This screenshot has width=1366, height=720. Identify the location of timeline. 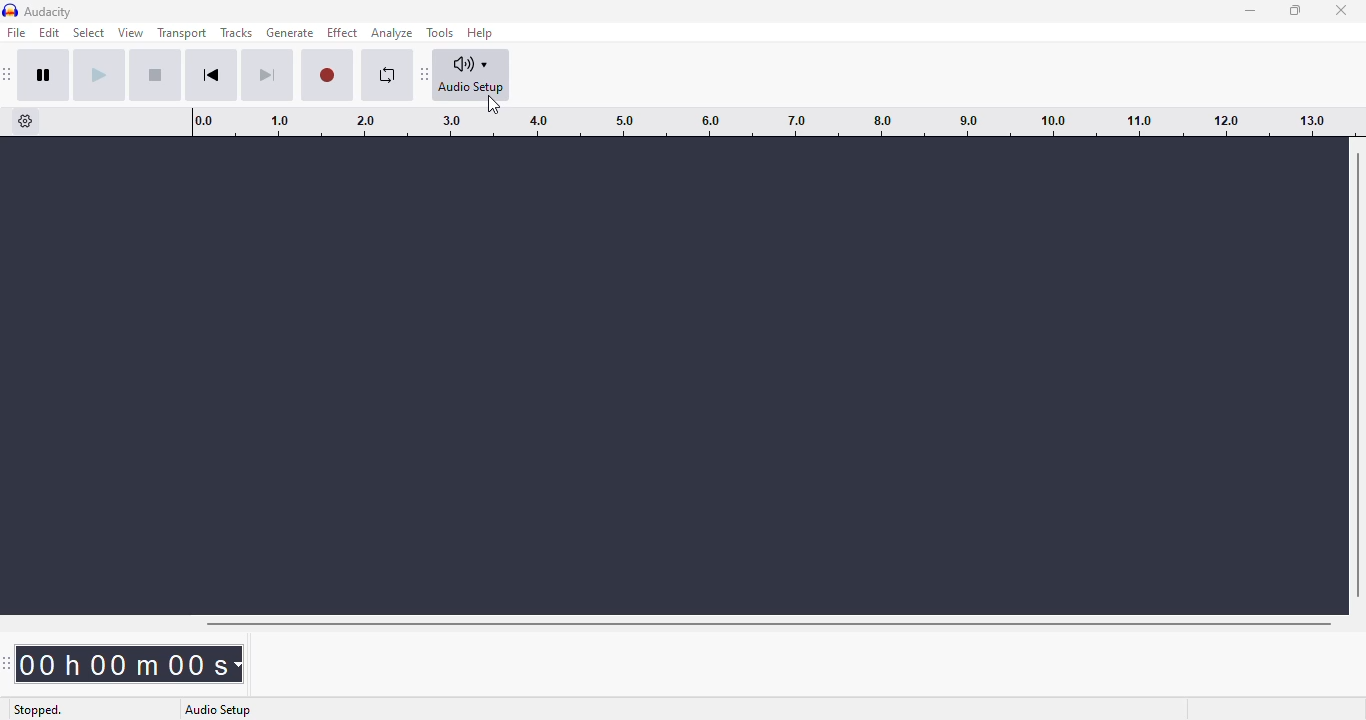
(762, 121).